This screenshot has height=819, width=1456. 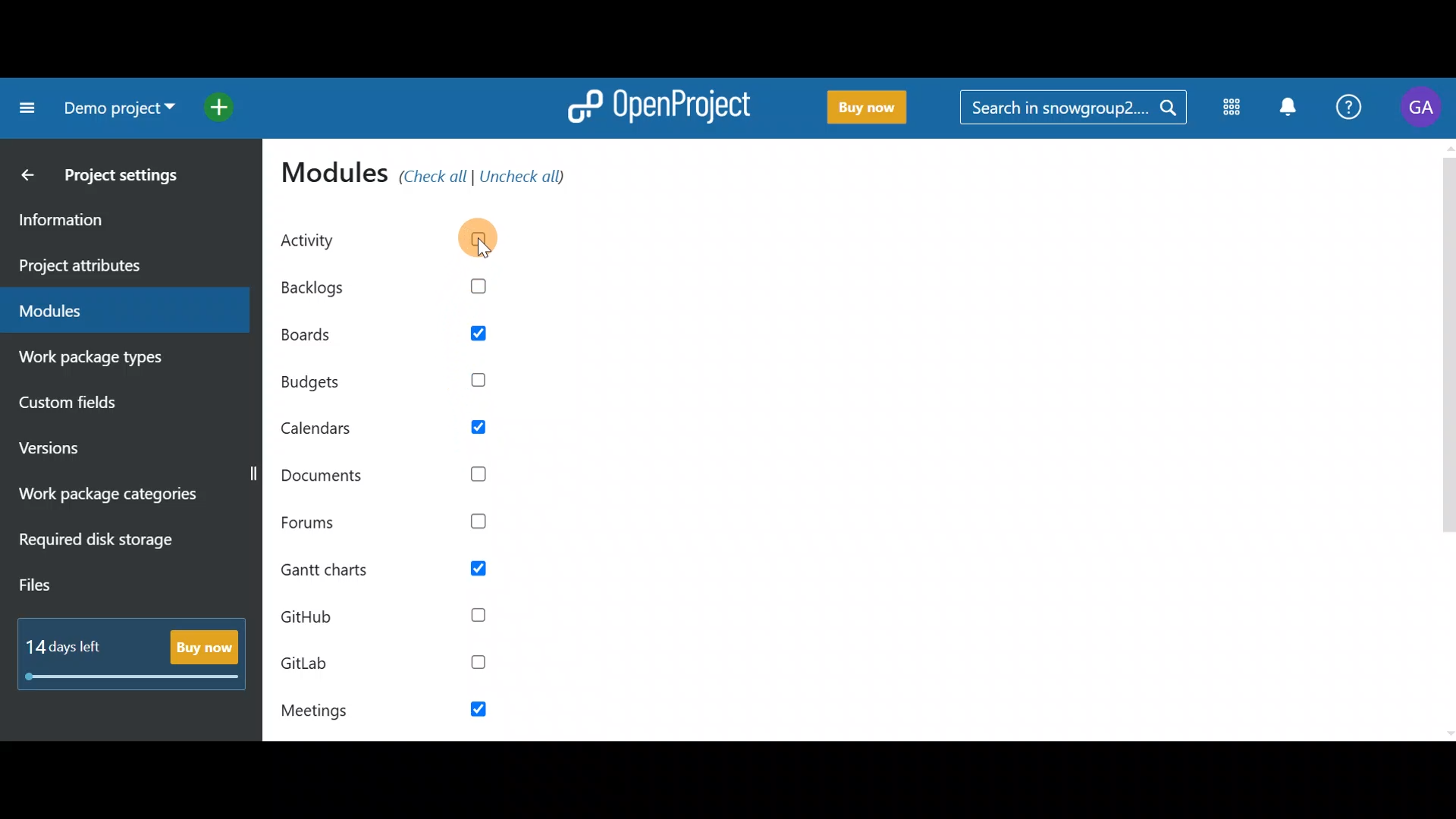 I want to click on Cursor, so click(x=479, y=237).